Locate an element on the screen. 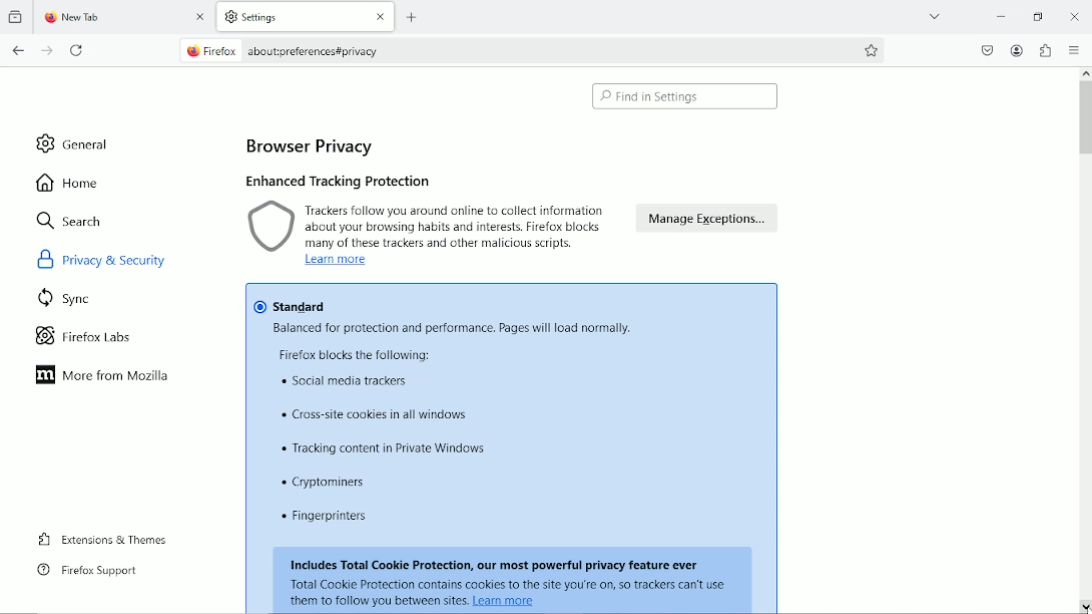 The height and width of the screenshot is (614, 1092). View recent browsing is located at coordinates (17, 18).